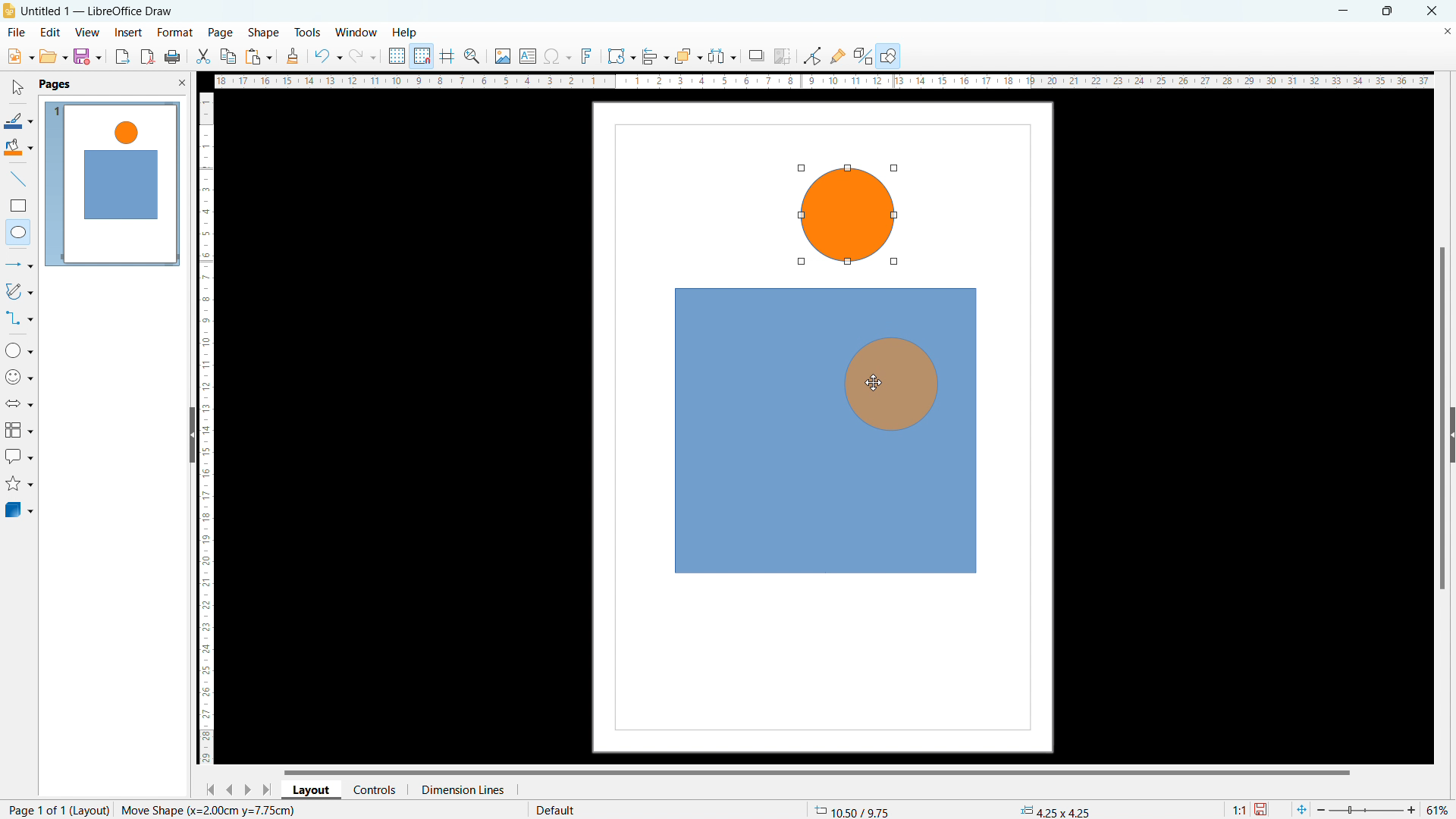  Describe the element at coordinates (19, 290) in the screenshot. I see `curves and polygonas` at that location.